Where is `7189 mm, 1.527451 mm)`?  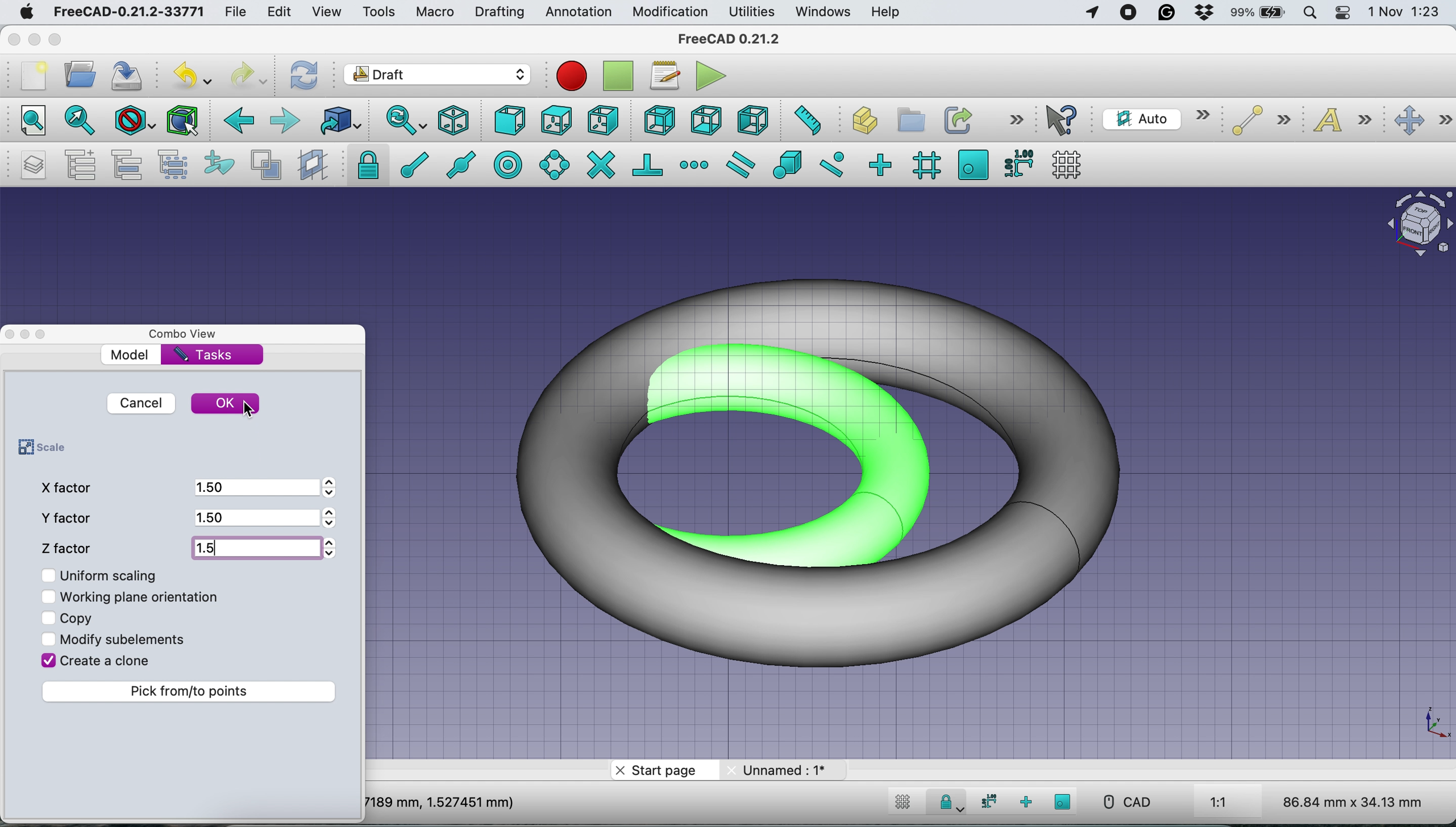 7189 mm, 1.527451 mm) is located at coordinates (441, 801).